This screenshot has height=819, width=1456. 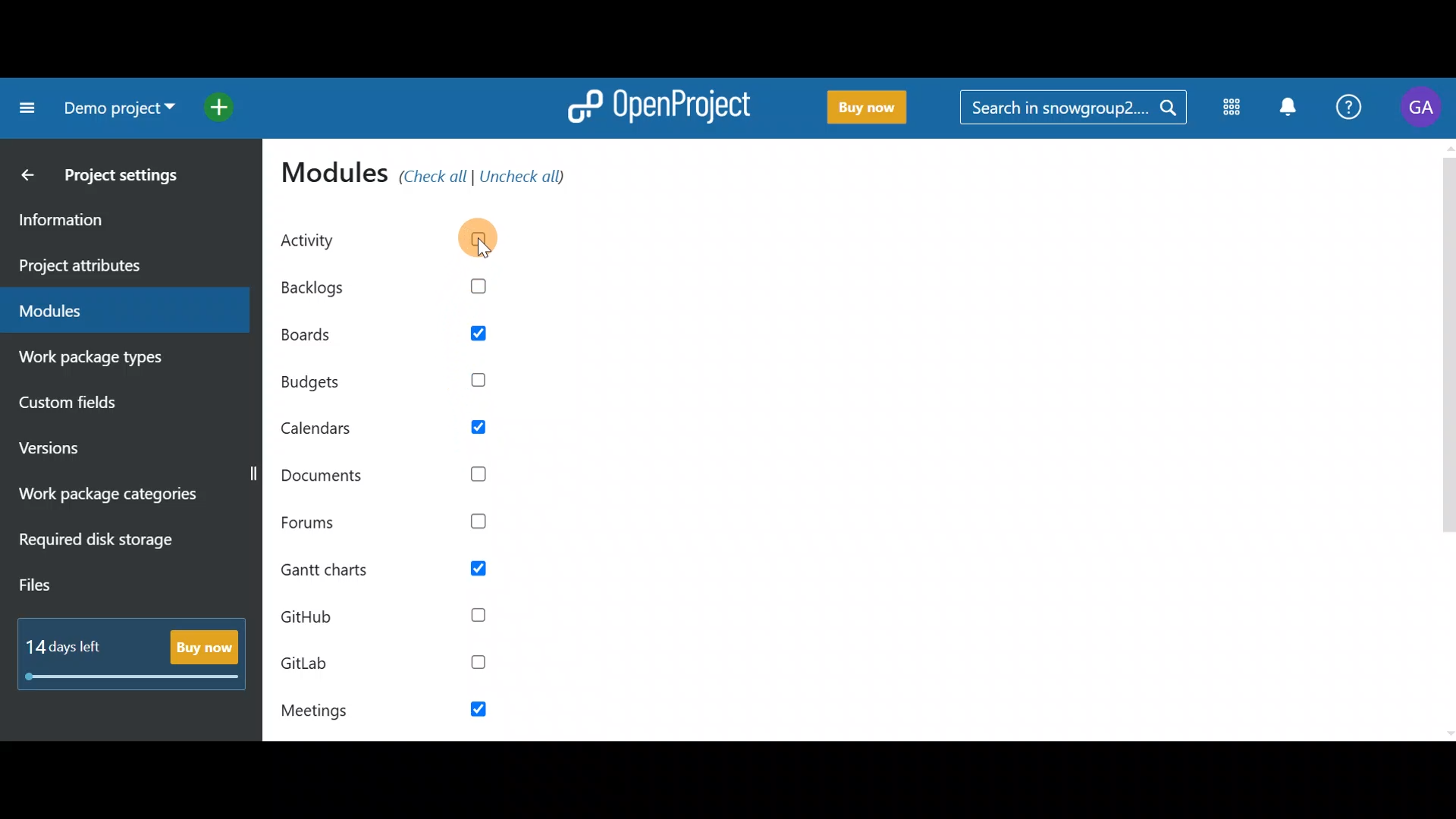 I want to click on OpenProject, so click(x=660, y=111).